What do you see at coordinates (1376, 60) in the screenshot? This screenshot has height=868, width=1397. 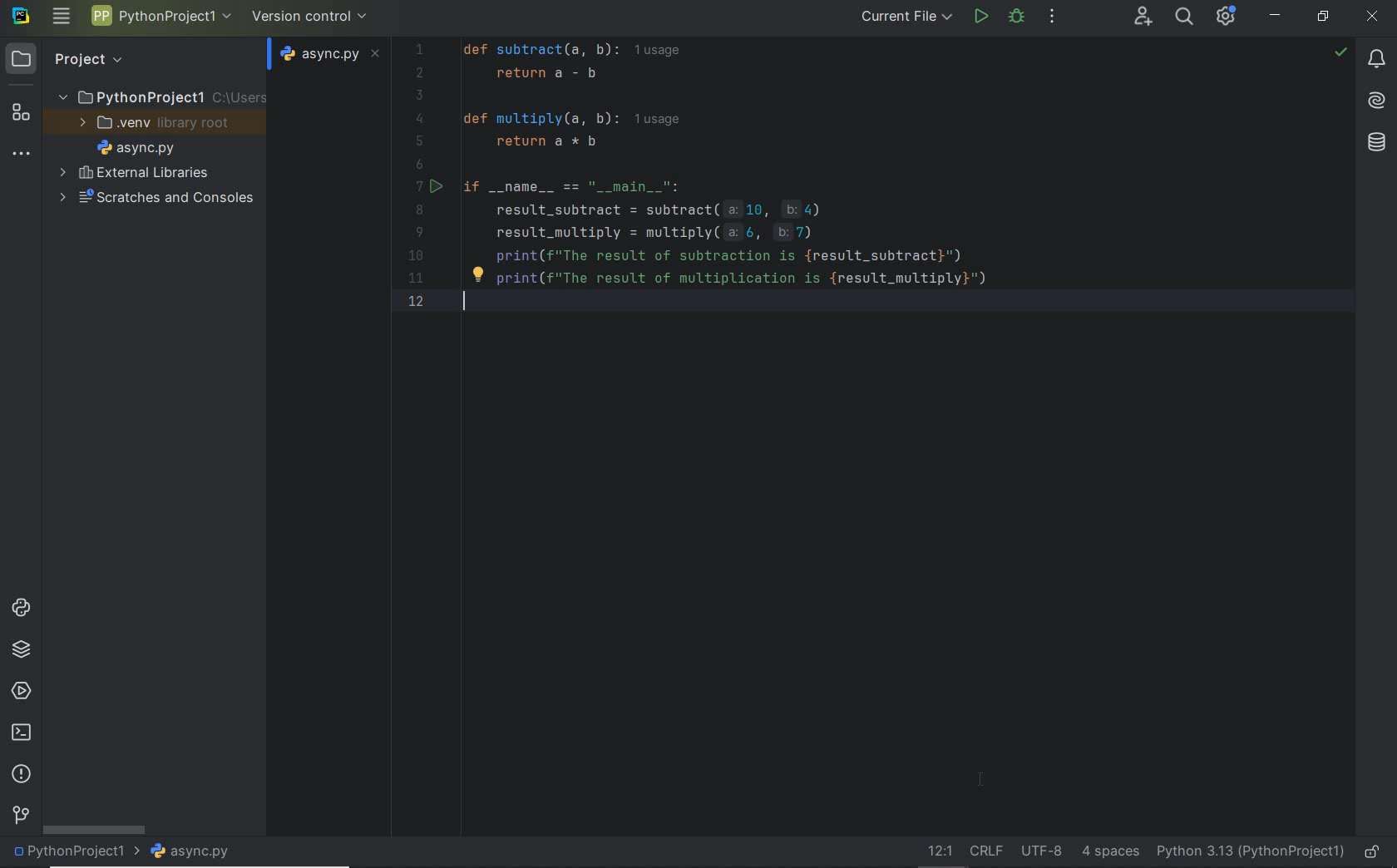 I see `notifications` at bounding box center [1376, 60].